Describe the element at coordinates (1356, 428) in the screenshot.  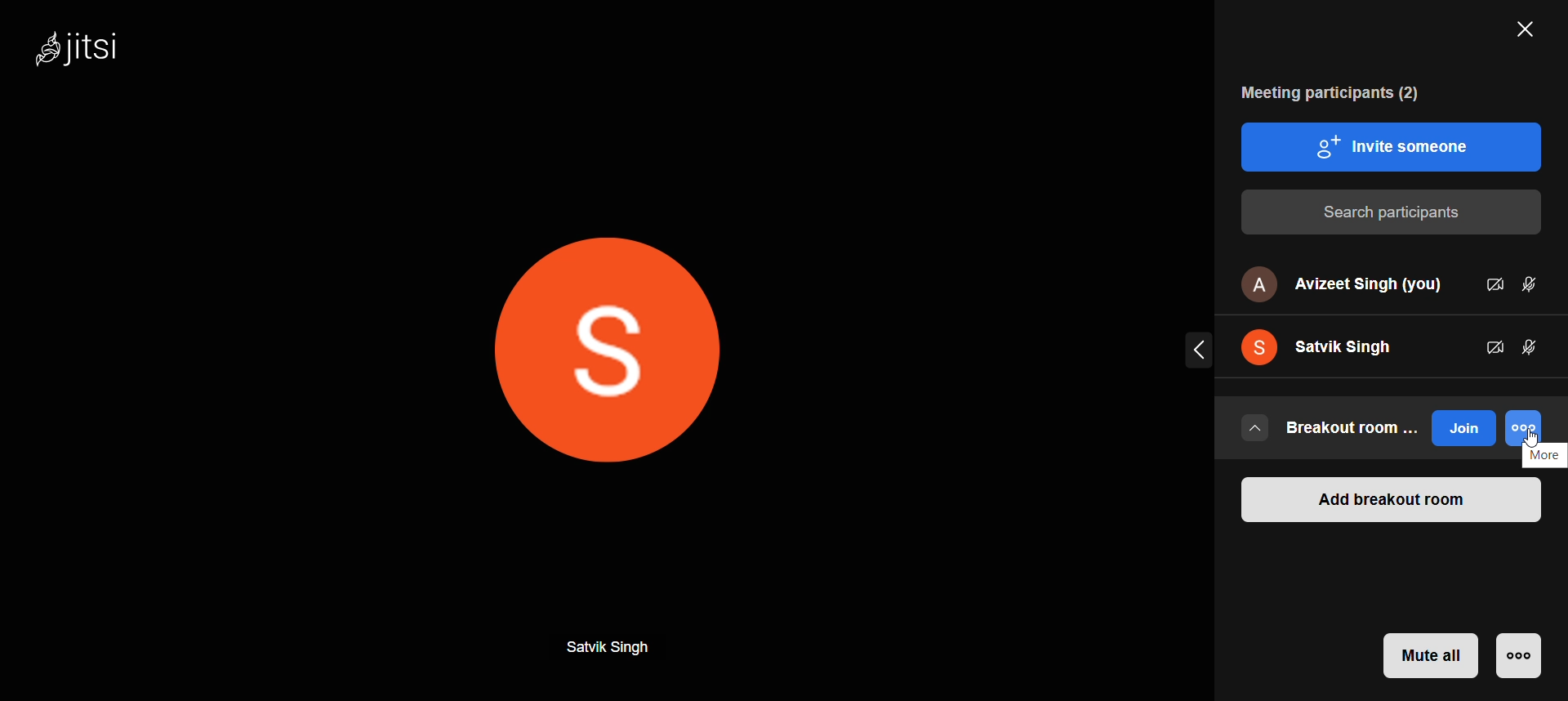
I see `breakout room` at that location.